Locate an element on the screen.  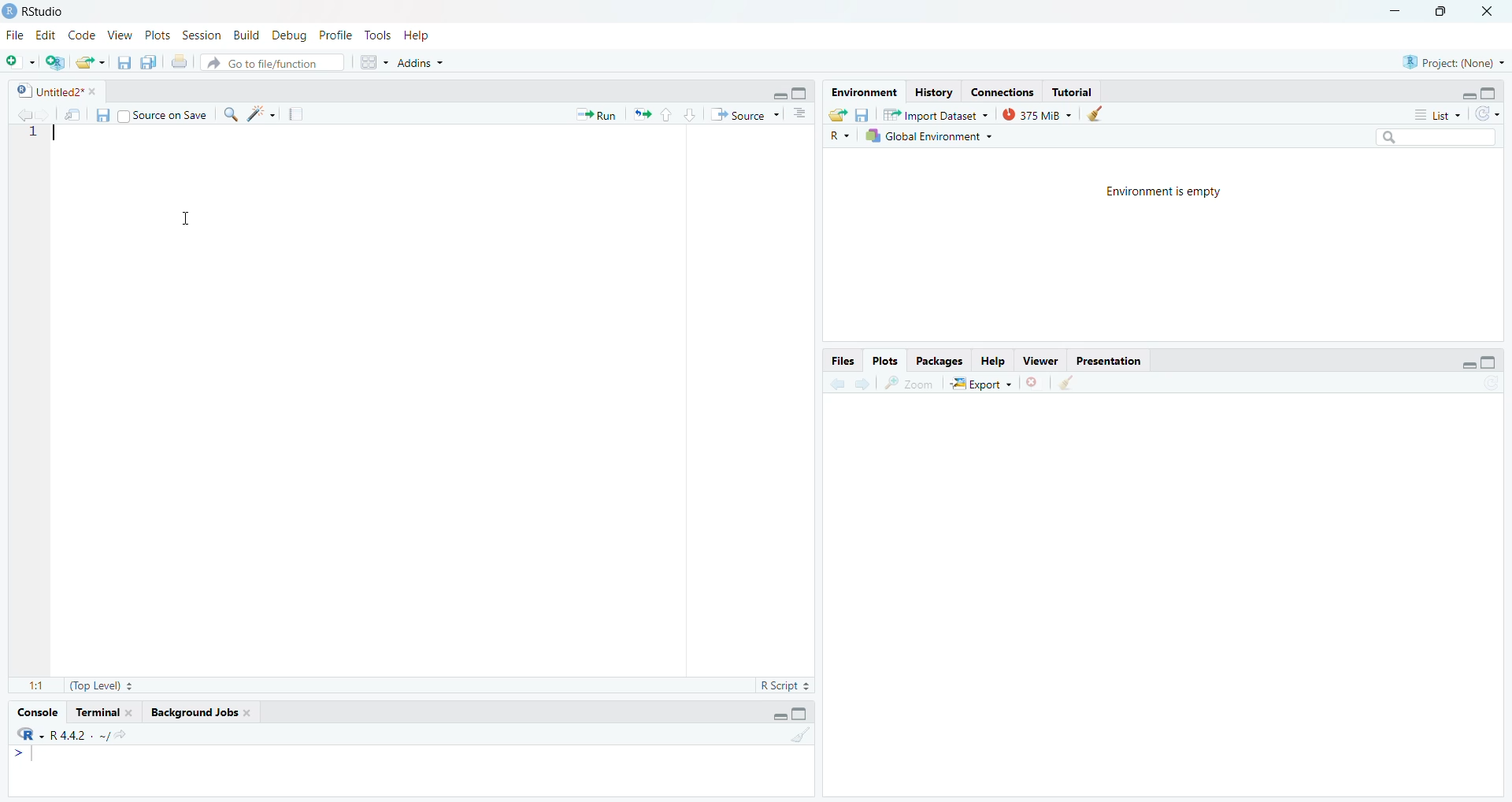
Edit is located at coordinates (45, 35).